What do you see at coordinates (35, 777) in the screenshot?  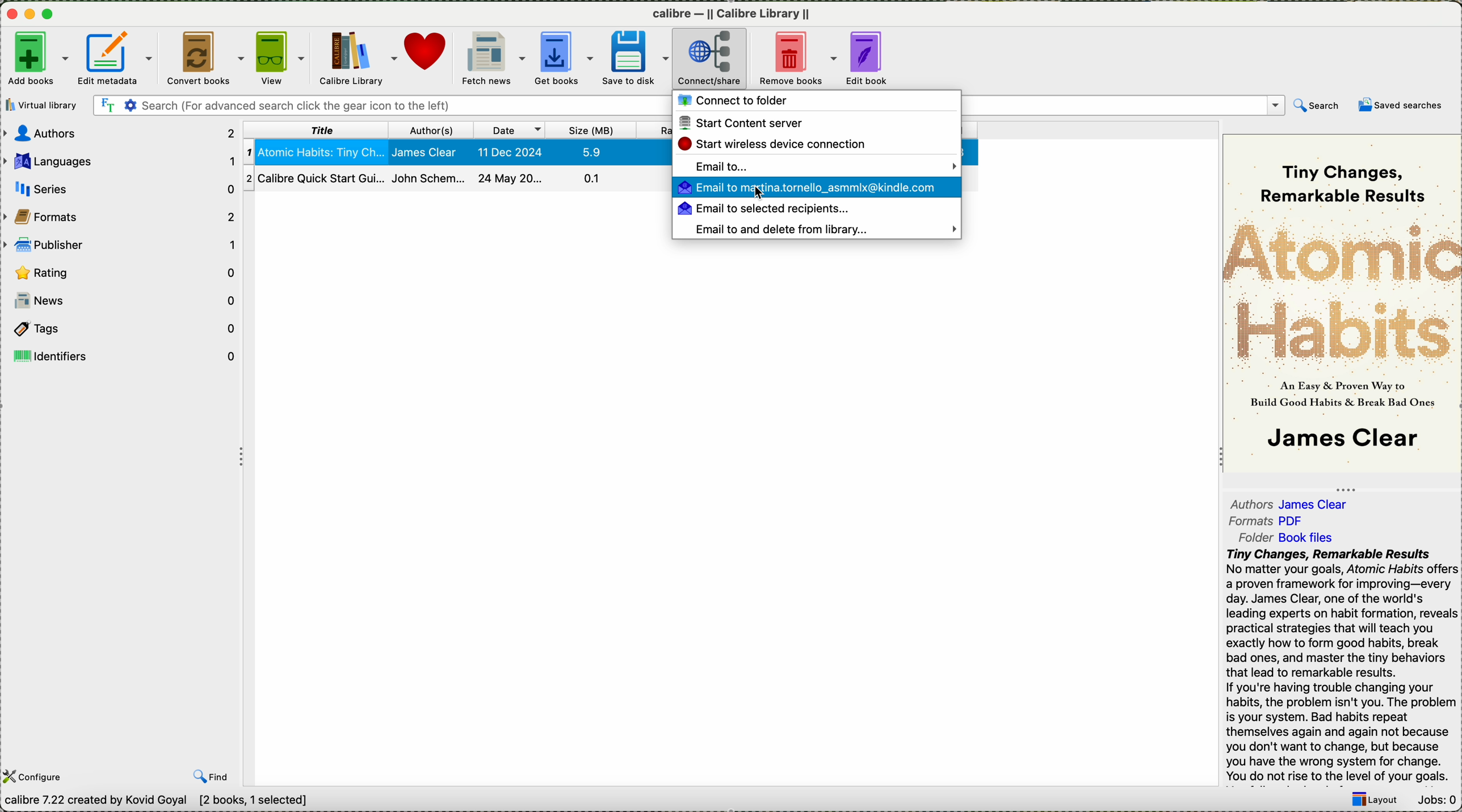 I see `configure` at bounding box center [35, 777].